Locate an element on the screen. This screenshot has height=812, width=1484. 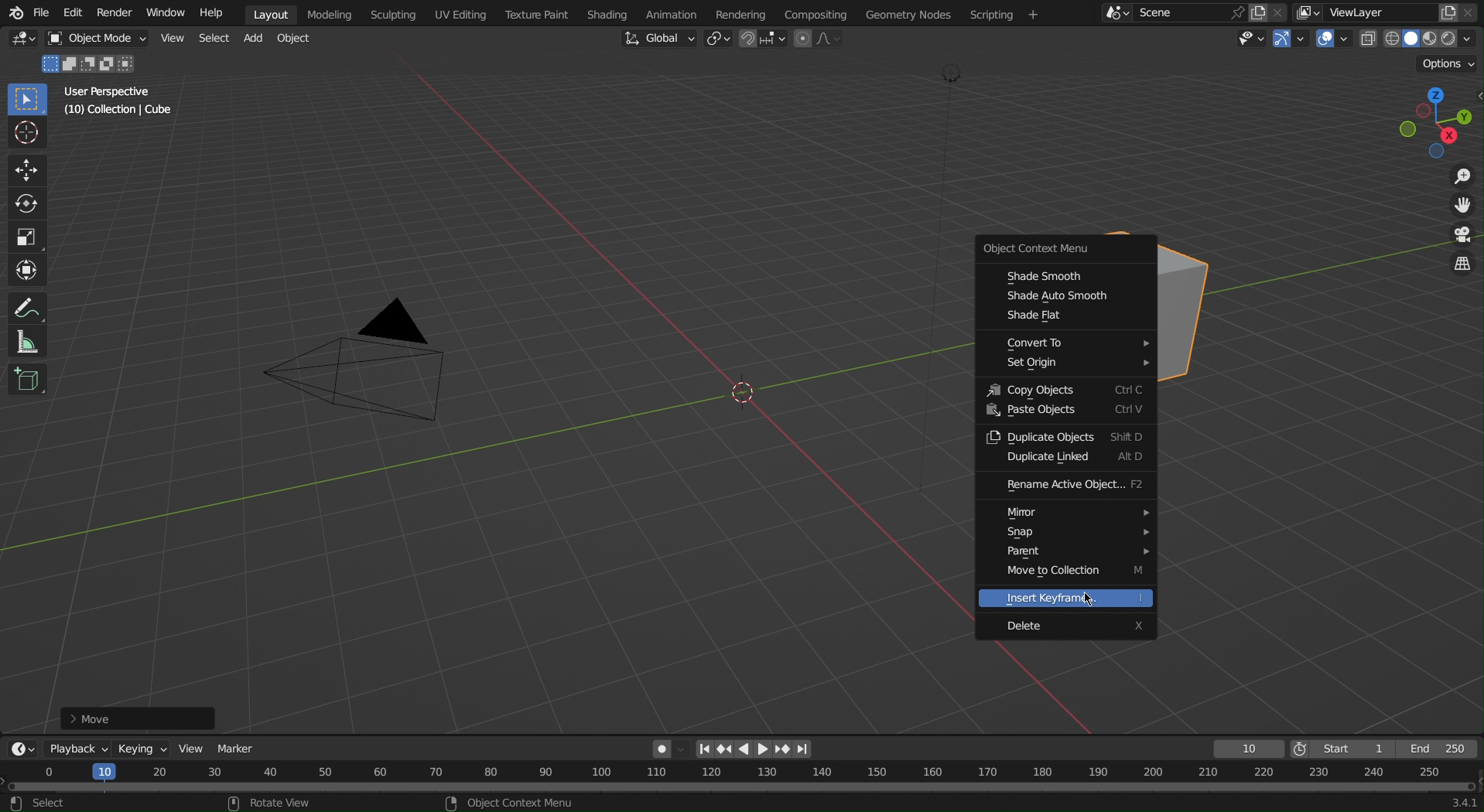
Playback is located at coordinates (74, 749).